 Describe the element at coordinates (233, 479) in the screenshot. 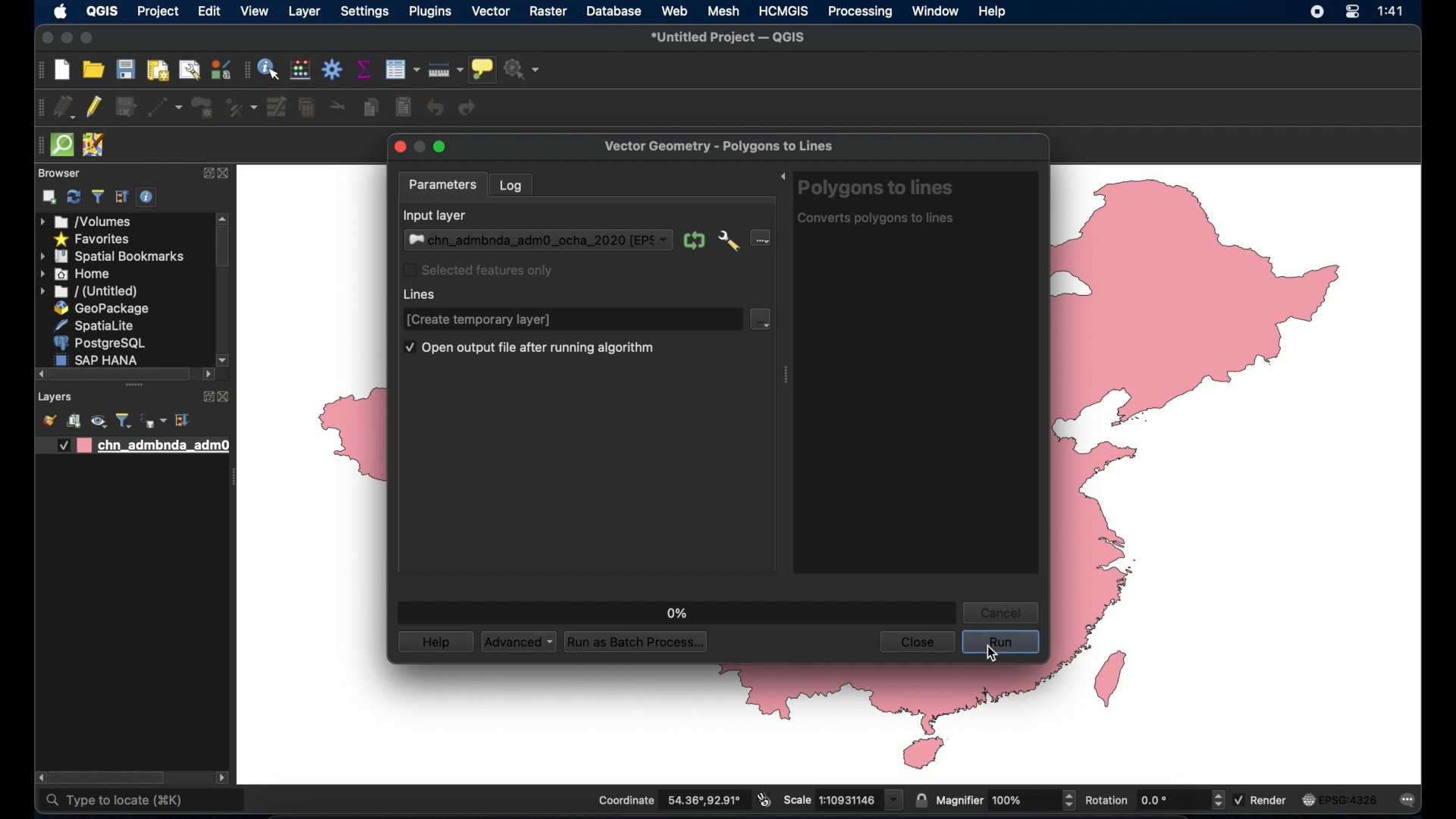

I see `drag handle` at that location.